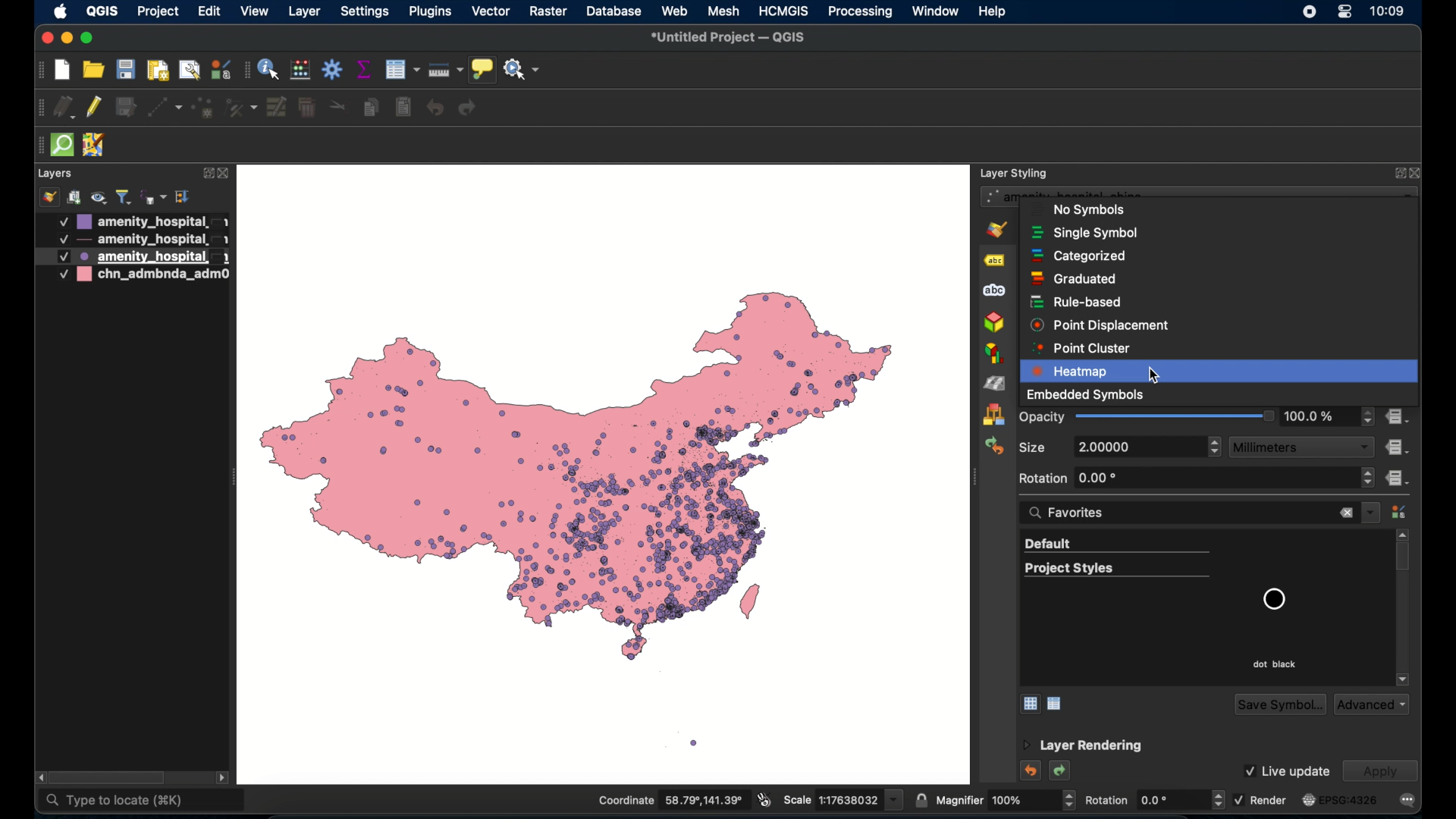  I want to click on shading renderer, so click(994, 383).